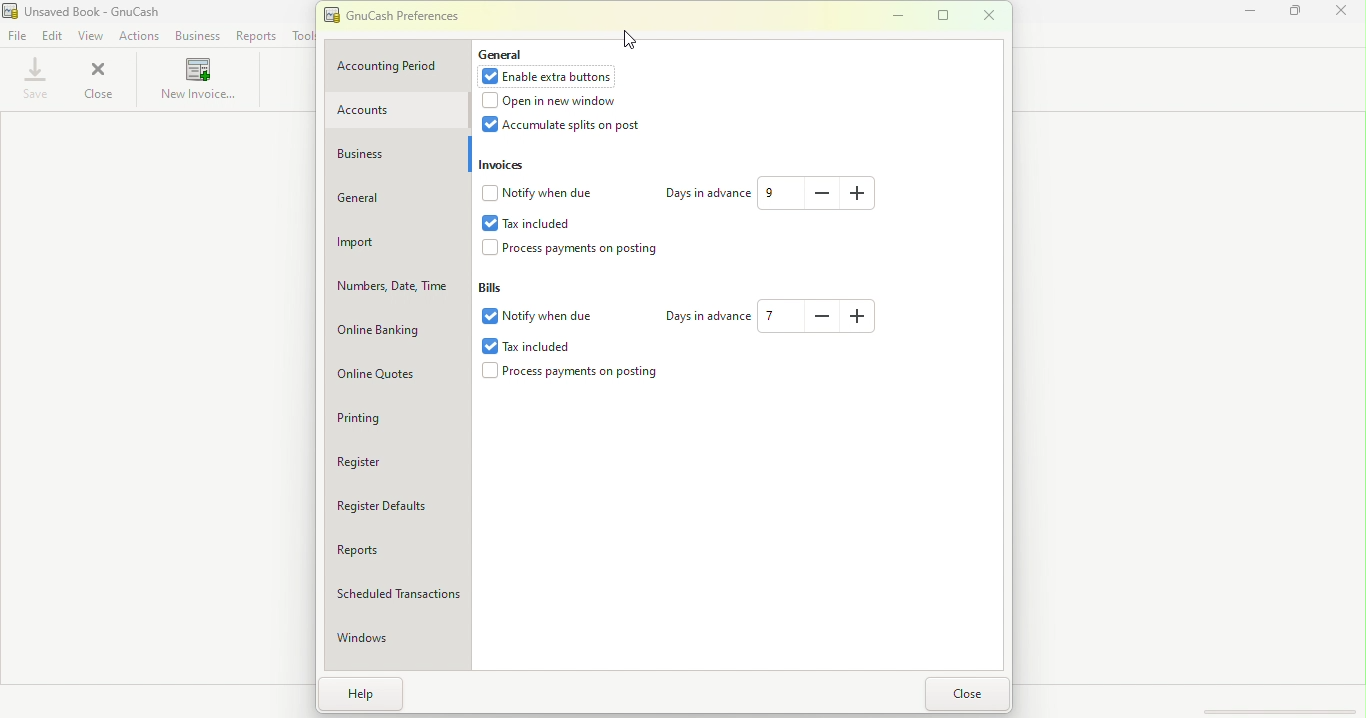 Image resolution: width=1366 pixels, height=718 pixels. What do you see at coordinates (92, 36) in the screenshot?
I see `View` at bounding box center [92, 36].